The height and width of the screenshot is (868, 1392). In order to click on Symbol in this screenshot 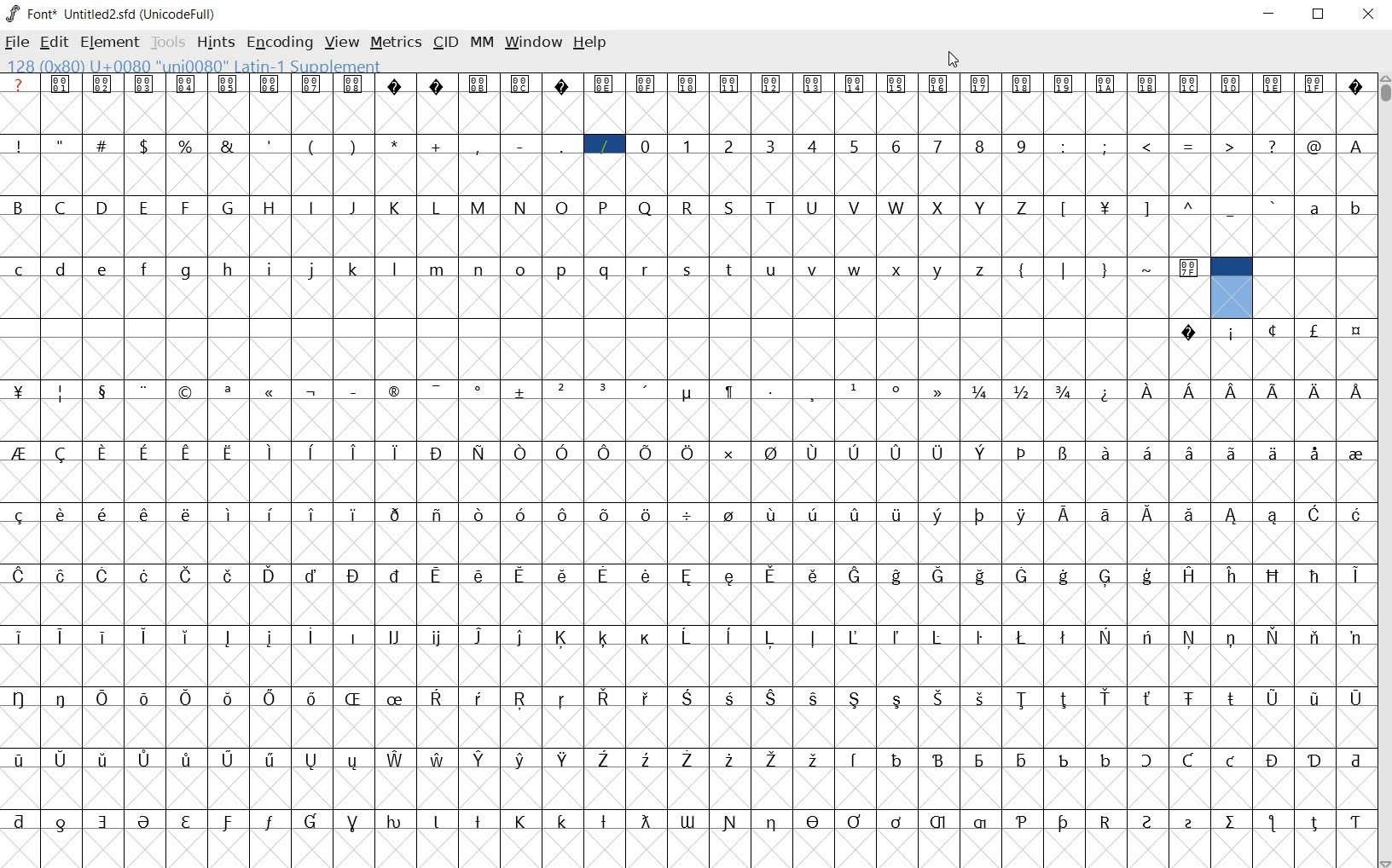, I will do `click(107, 574)`.